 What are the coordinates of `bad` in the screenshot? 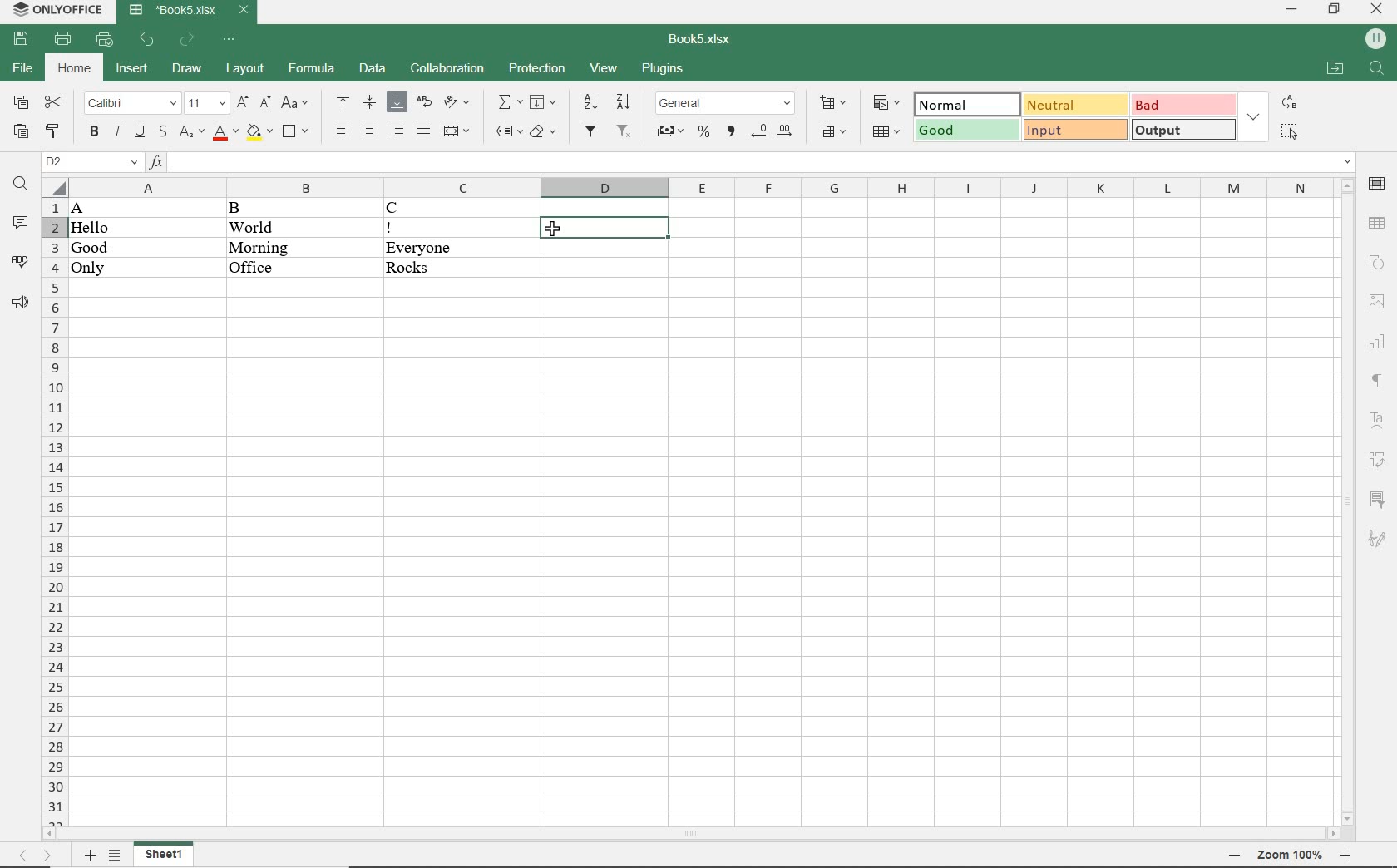 It's located at (1182, 105).